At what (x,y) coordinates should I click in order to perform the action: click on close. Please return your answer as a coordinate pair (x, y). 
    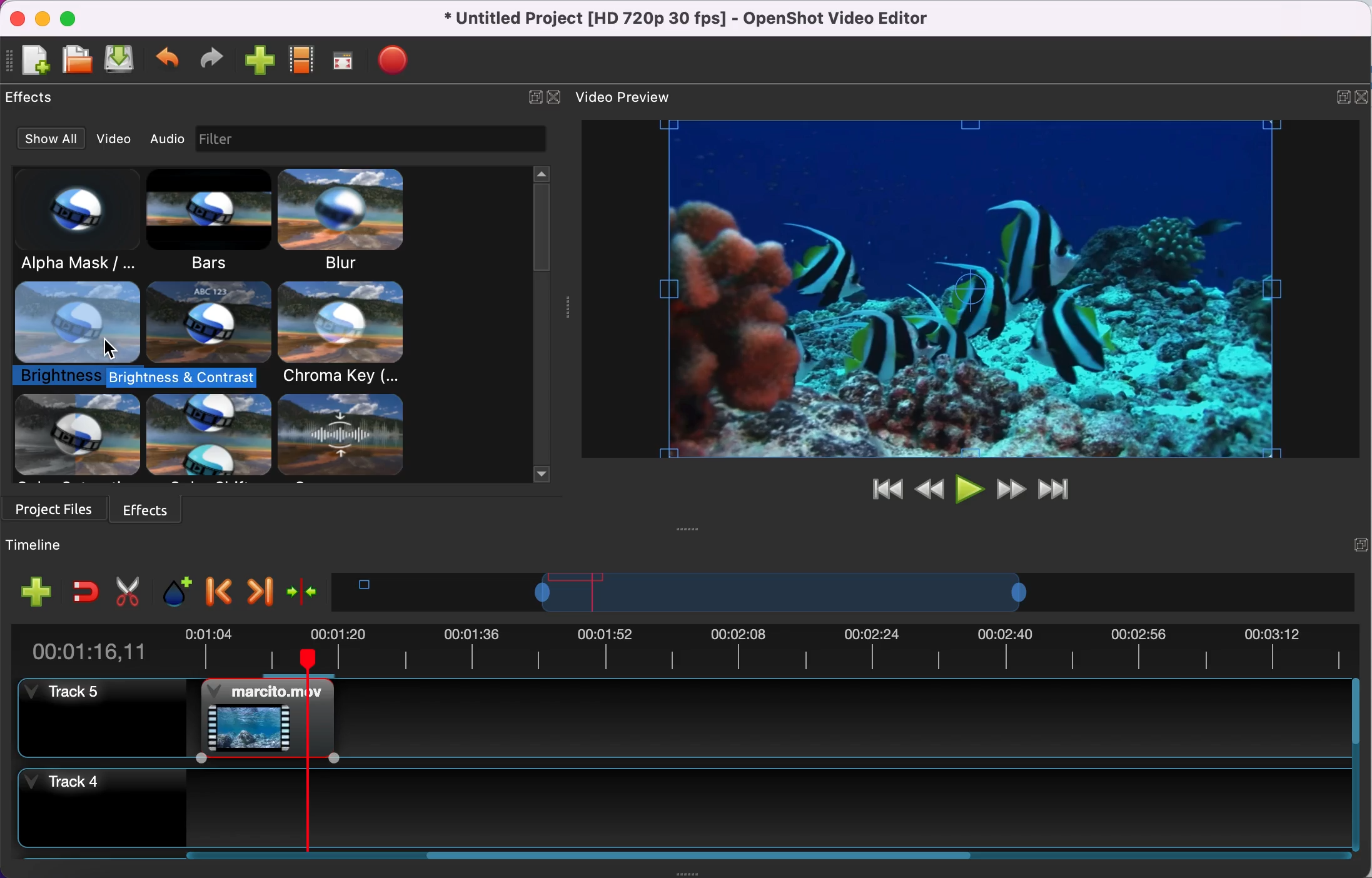
    Looking at the image, I should click on (555, 96).